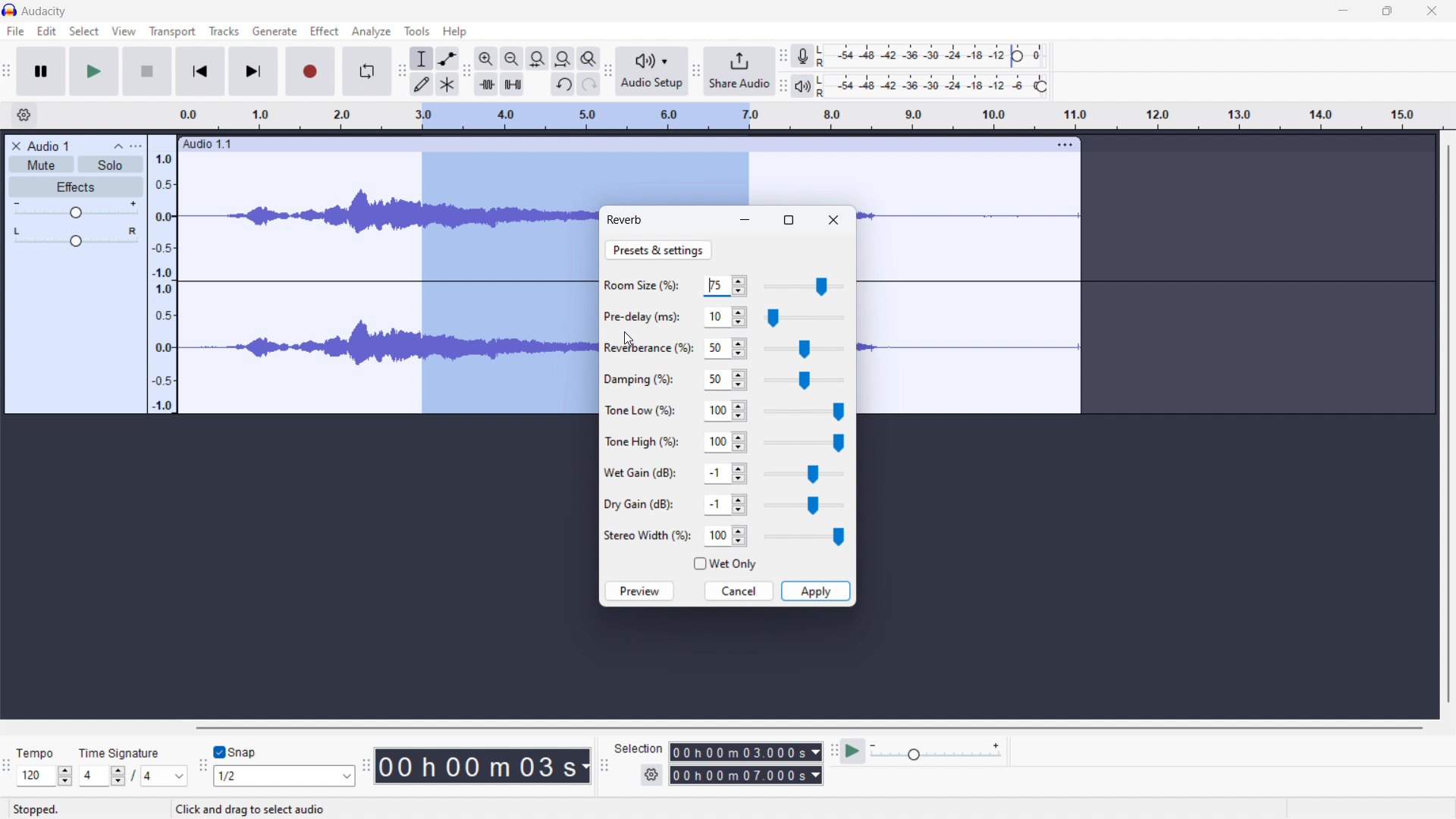 The height and width of the screenshot is (819, 1456). Describe the element at coordinates (309, 72) in the screenshot. I see `record` at that location.